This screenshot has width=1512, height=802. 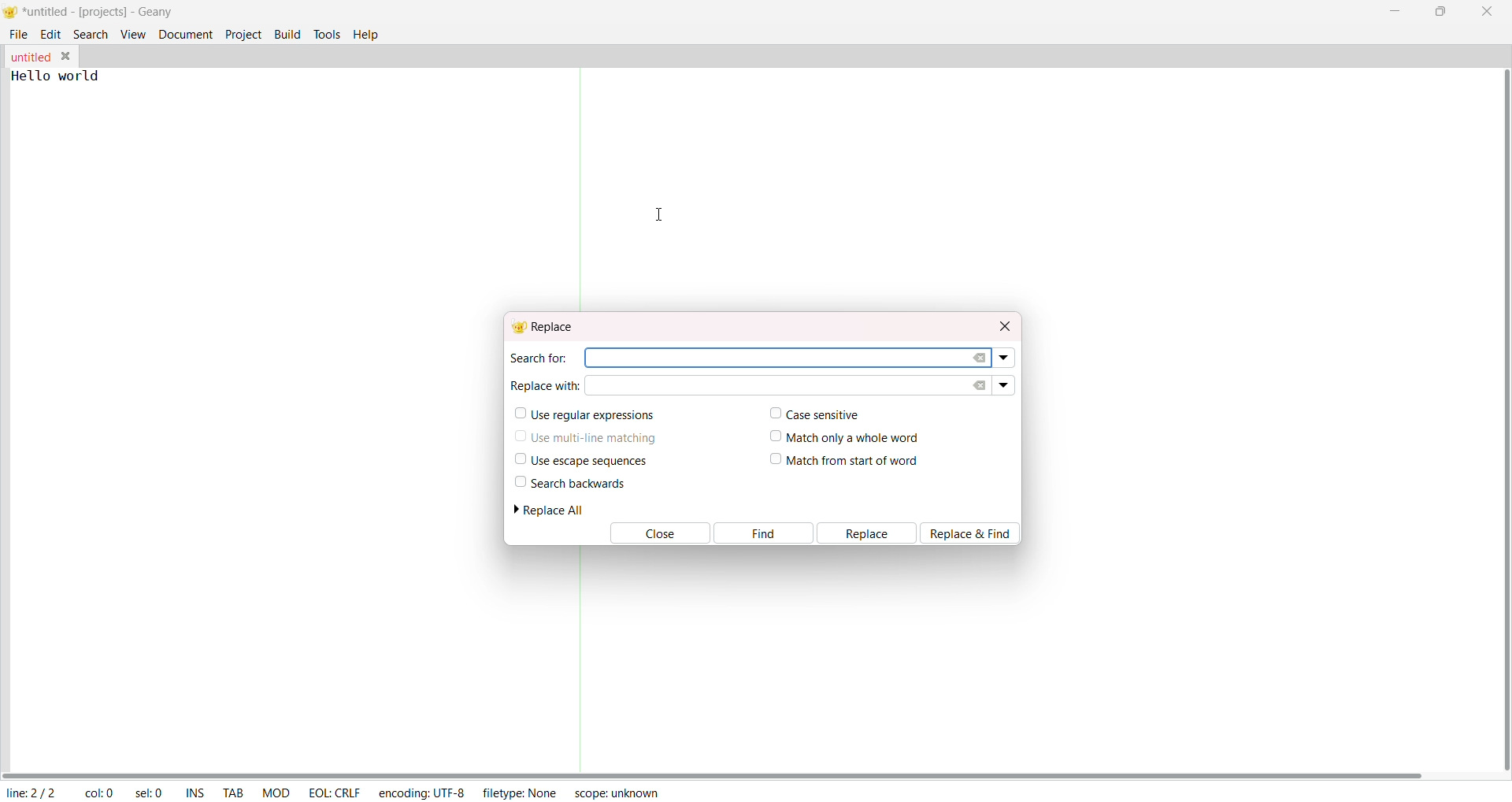 What do you see at coordinates (775, 388) in the screenshot?
I see `replace input area` at bounding box center [775, 388].